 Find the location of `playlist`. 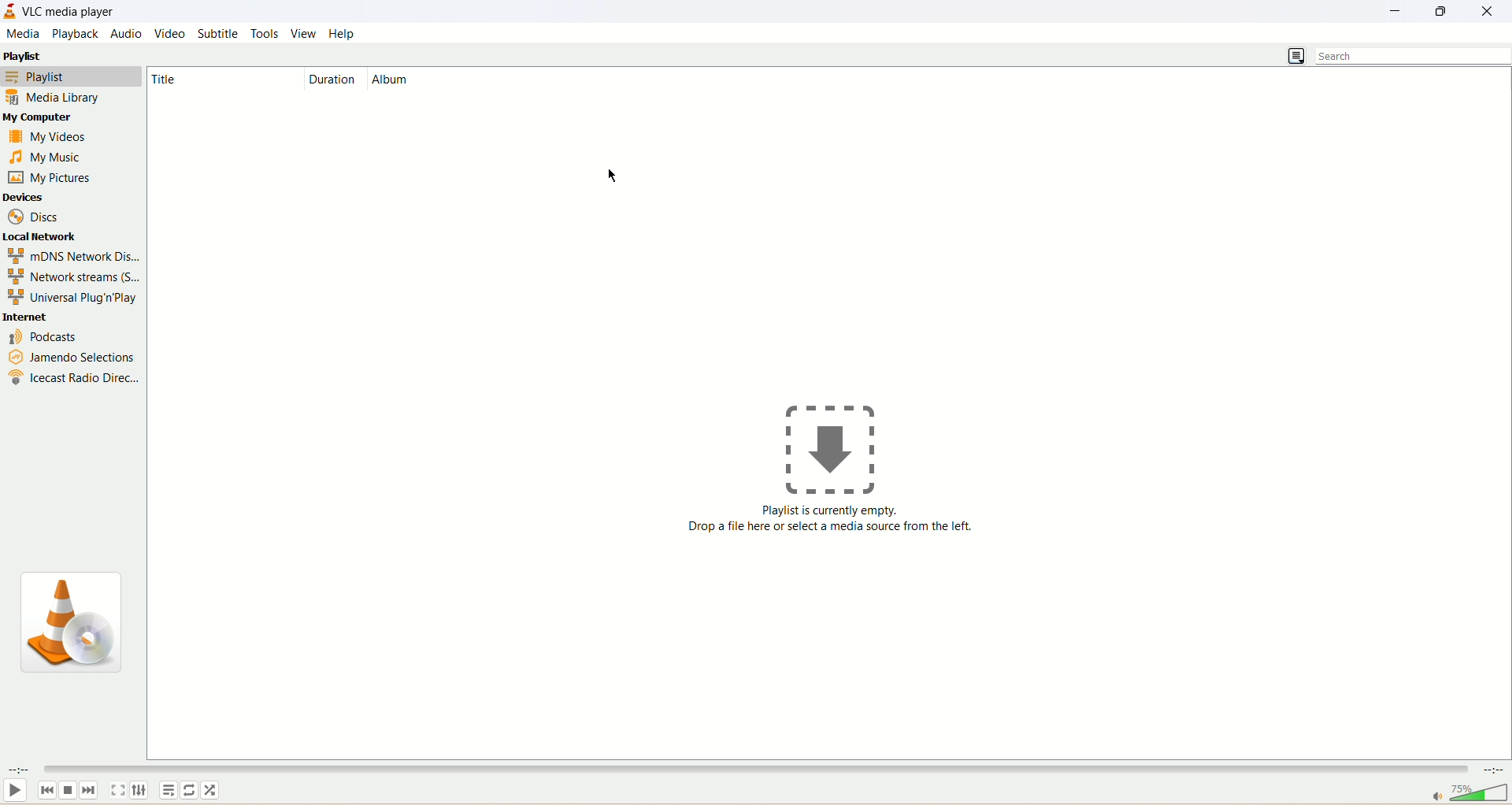

playlist is located at coordinates (24, 56).